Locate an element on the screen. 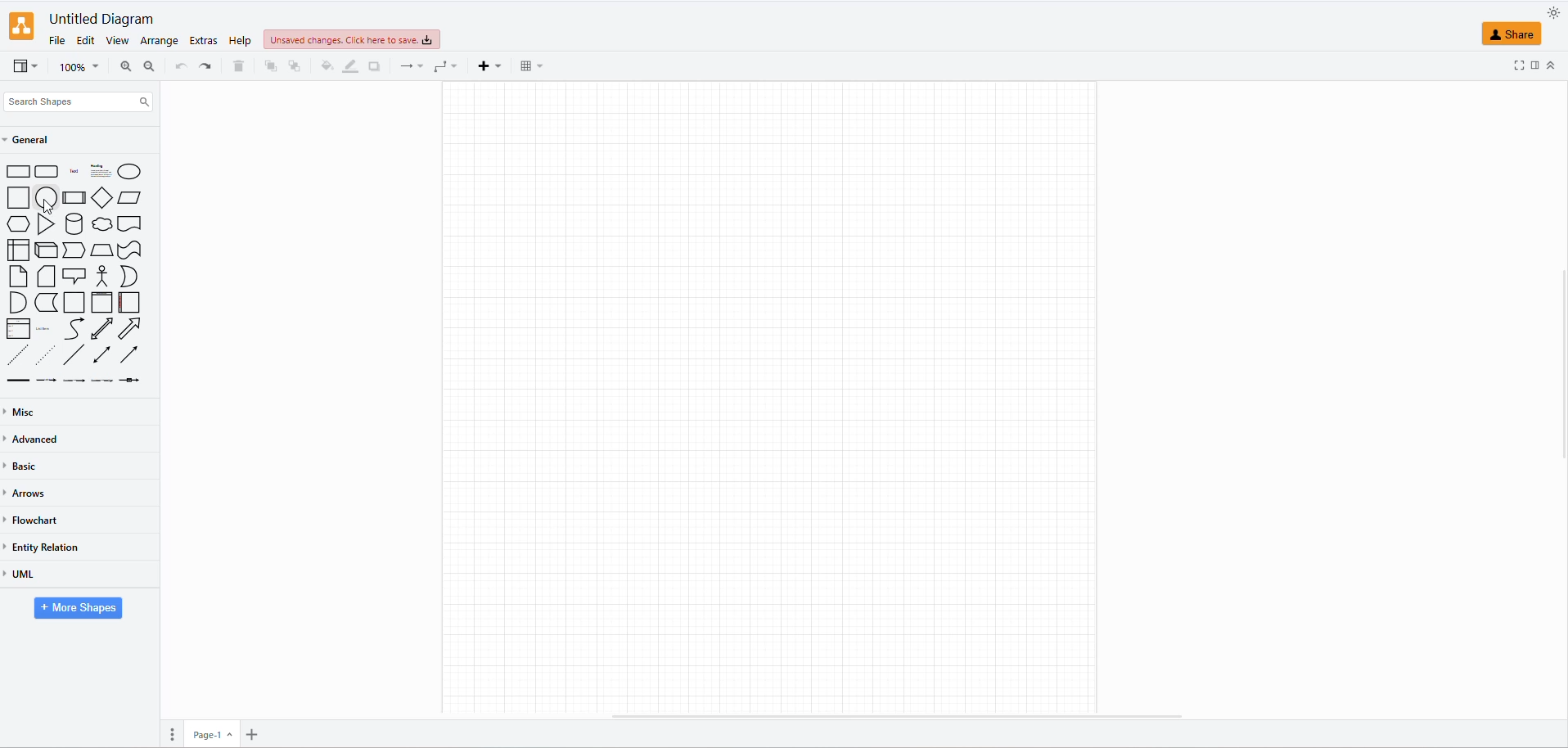  EDIT is located at coordinates (83, 42).